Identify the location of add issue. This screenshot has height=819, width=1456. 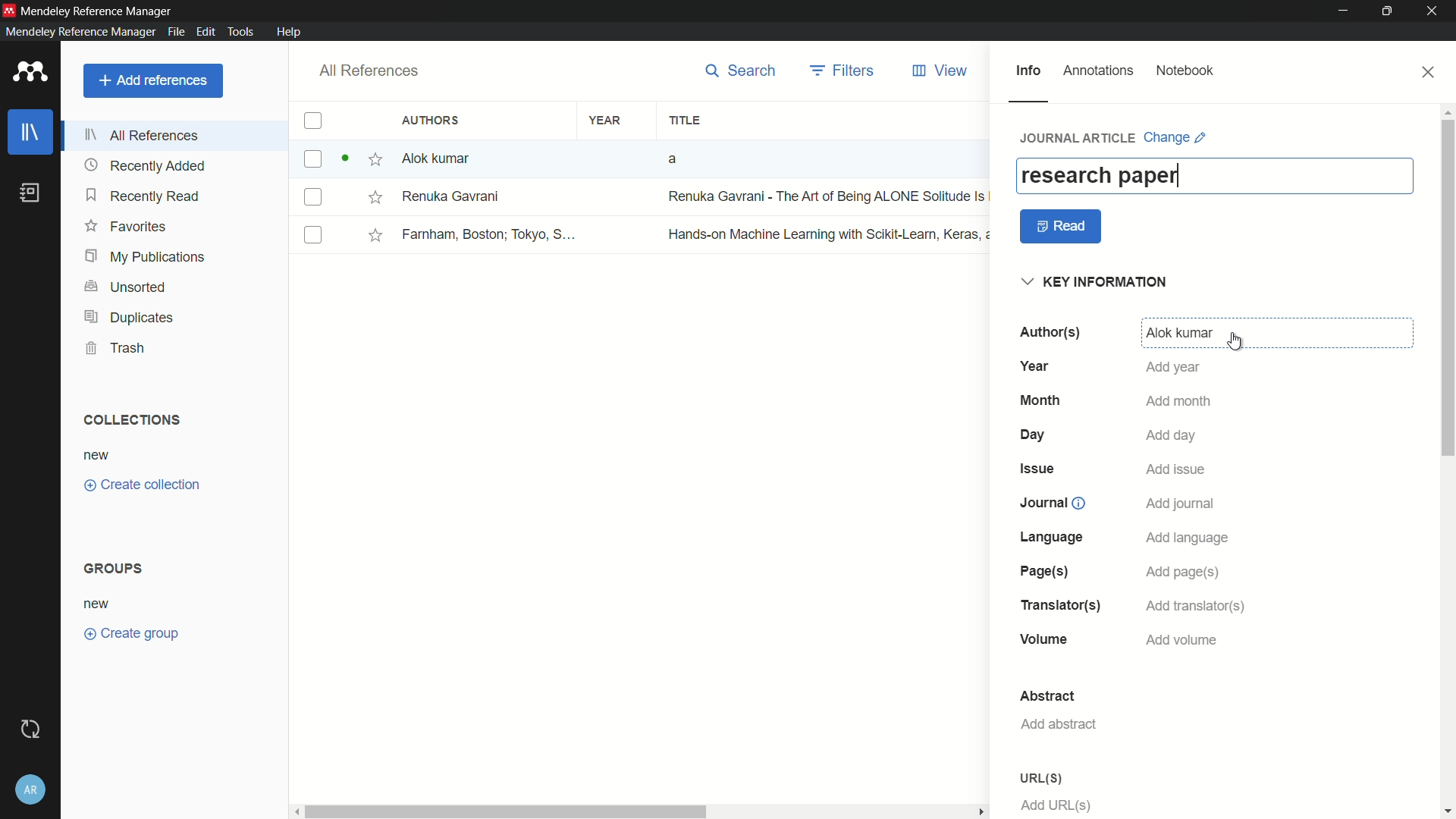
(1176, 471).